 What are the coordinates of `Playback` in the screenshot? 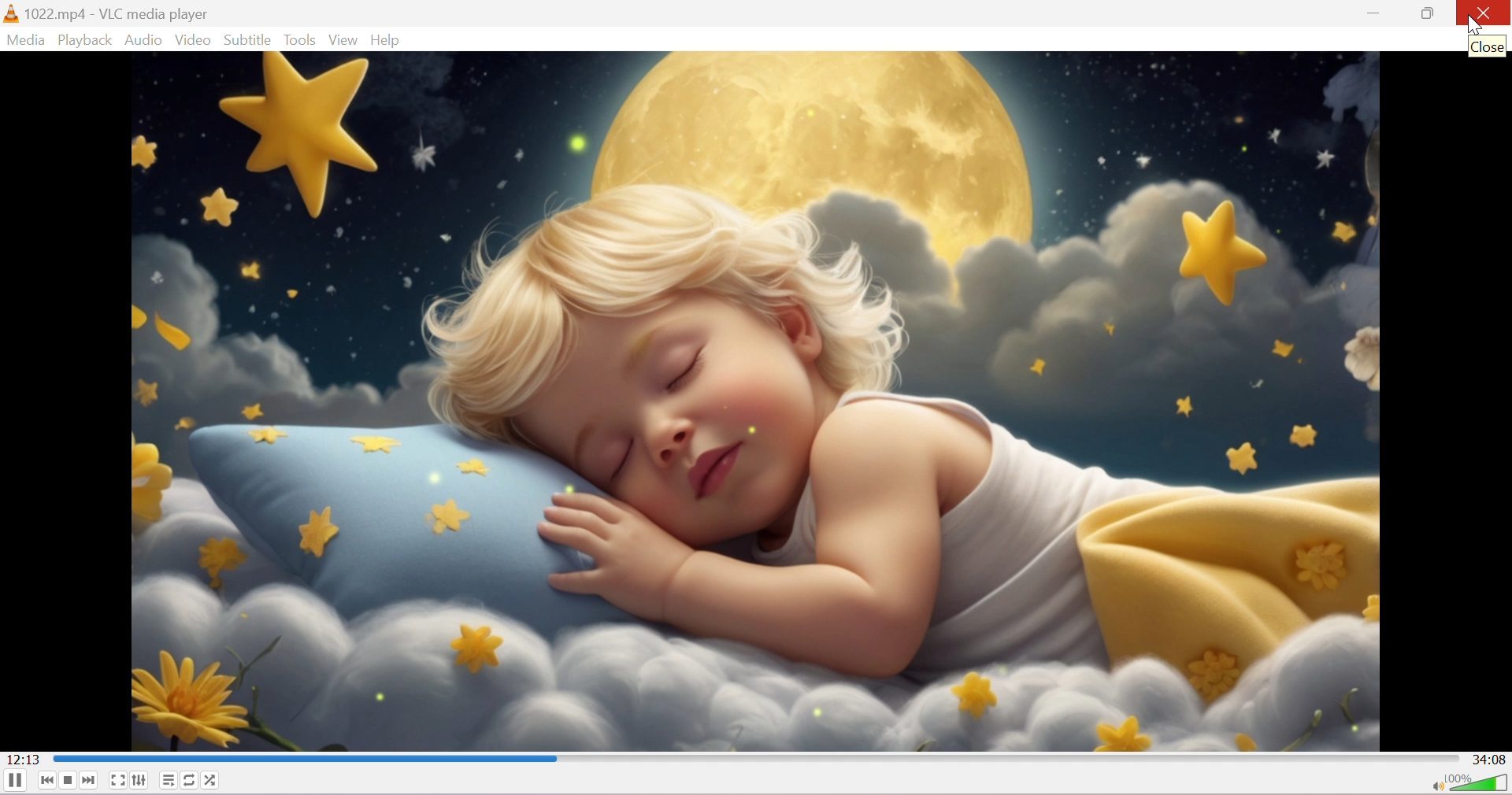 It's located at (86, 39).